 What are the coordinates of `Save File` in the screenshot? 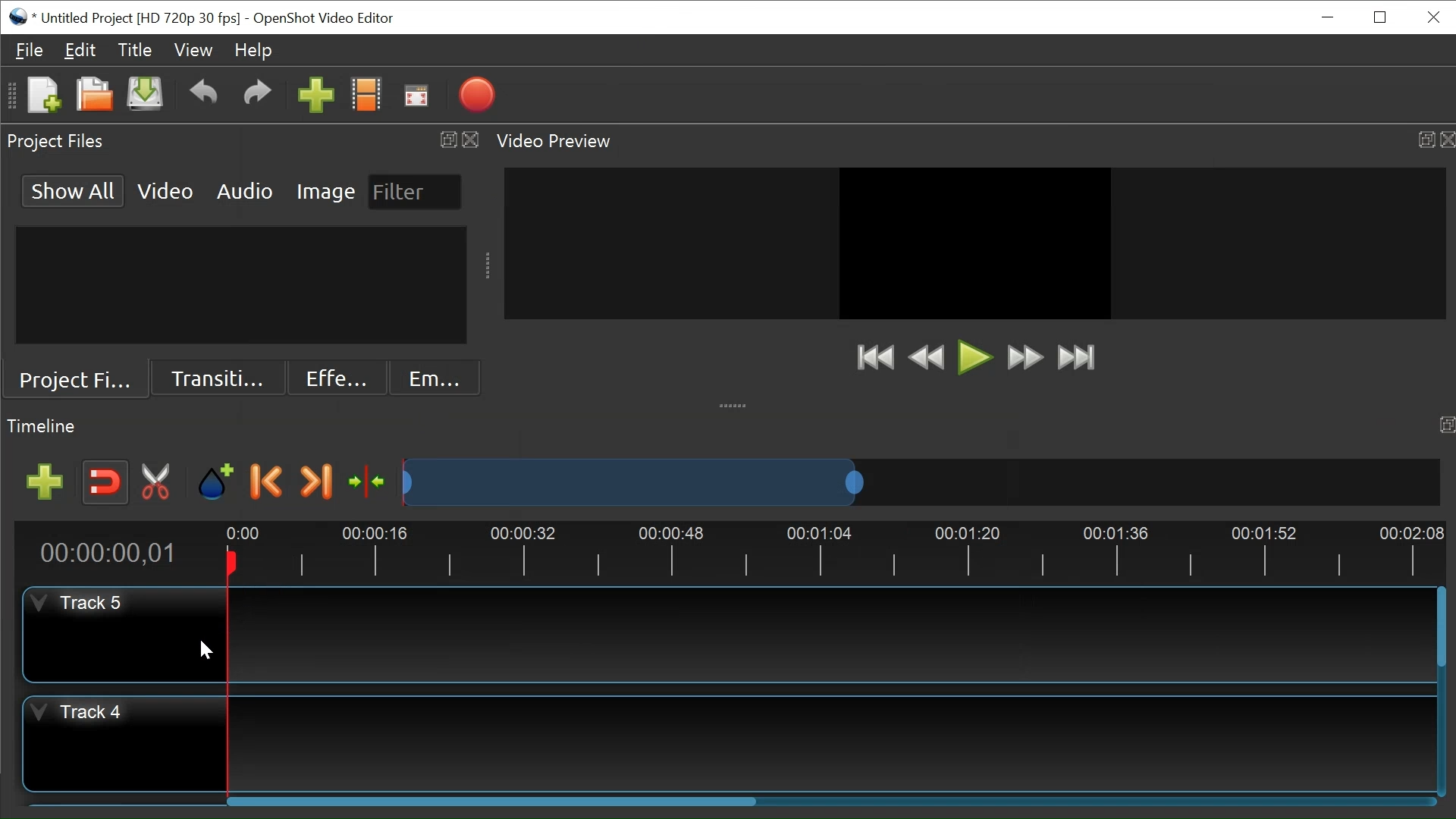 It's located at (144, 96).